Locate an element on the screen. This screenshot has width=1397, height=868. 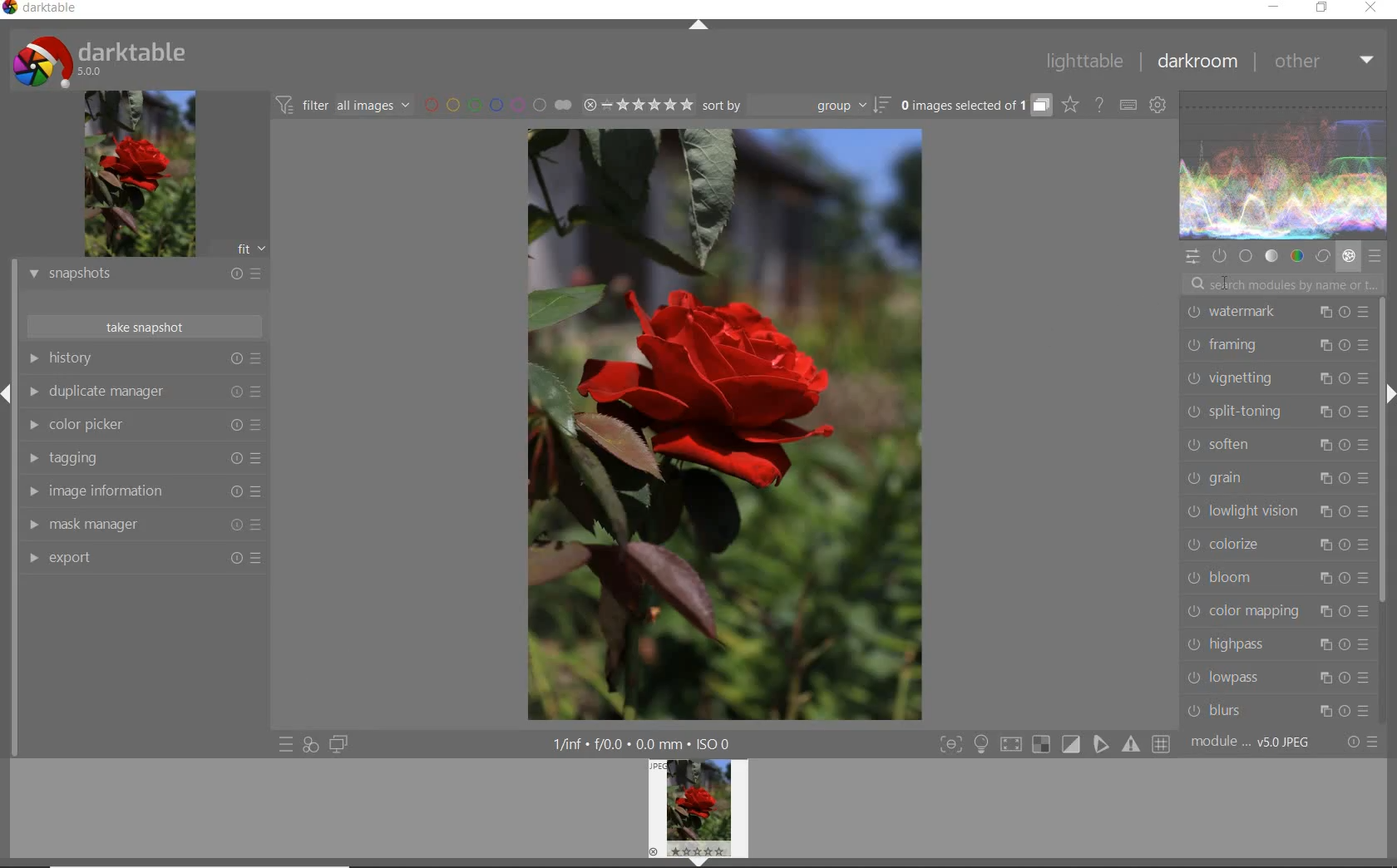
image information is located at coordinates (142, 491).